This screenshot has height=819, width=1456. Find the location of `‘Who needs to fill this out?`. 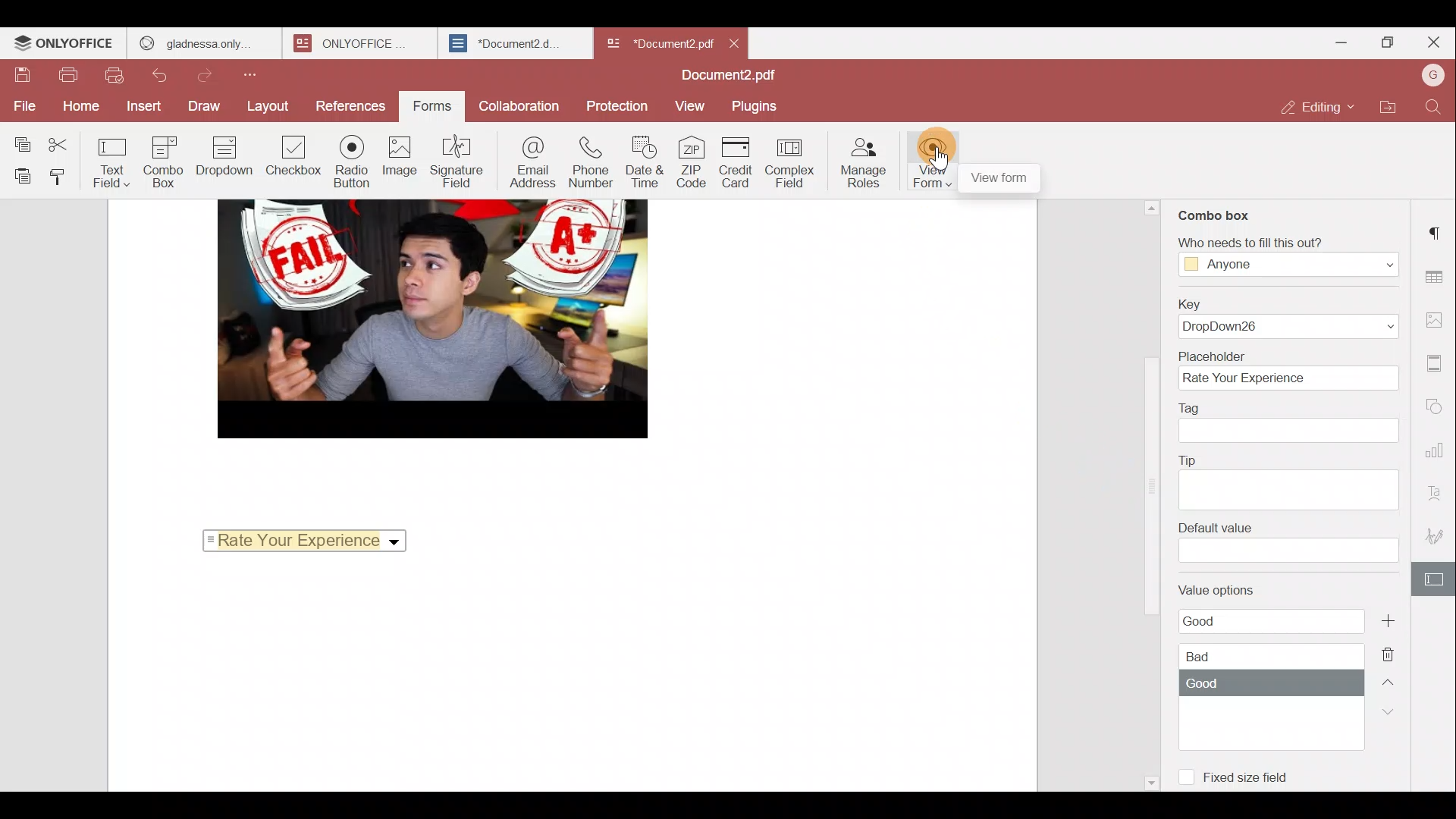

‘Who needs to fill this out? is located at coordinates (1280, 256).